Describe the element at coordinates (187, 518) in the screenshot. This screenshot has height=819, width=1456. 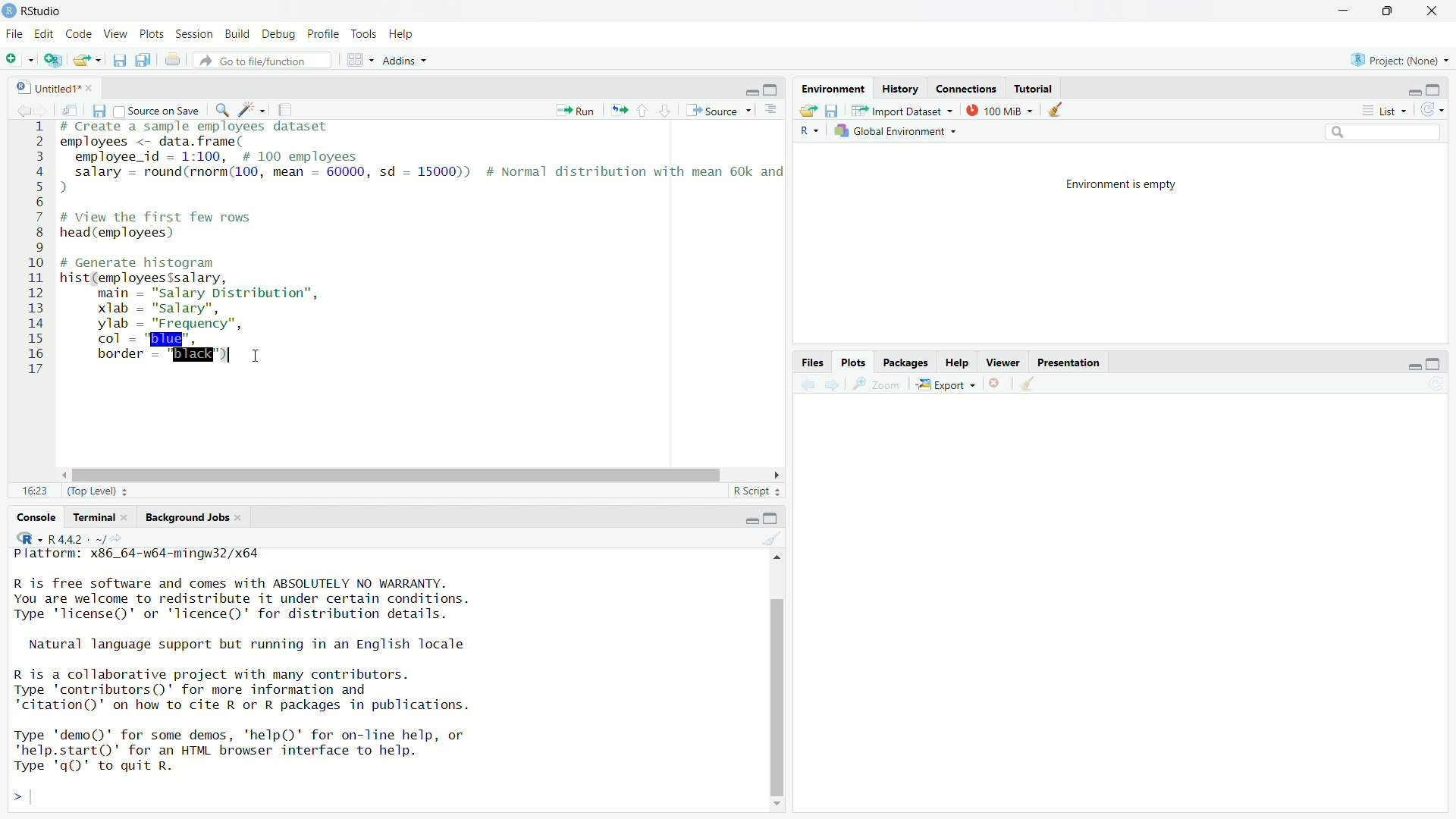
I see `Background Jobs` at that location.